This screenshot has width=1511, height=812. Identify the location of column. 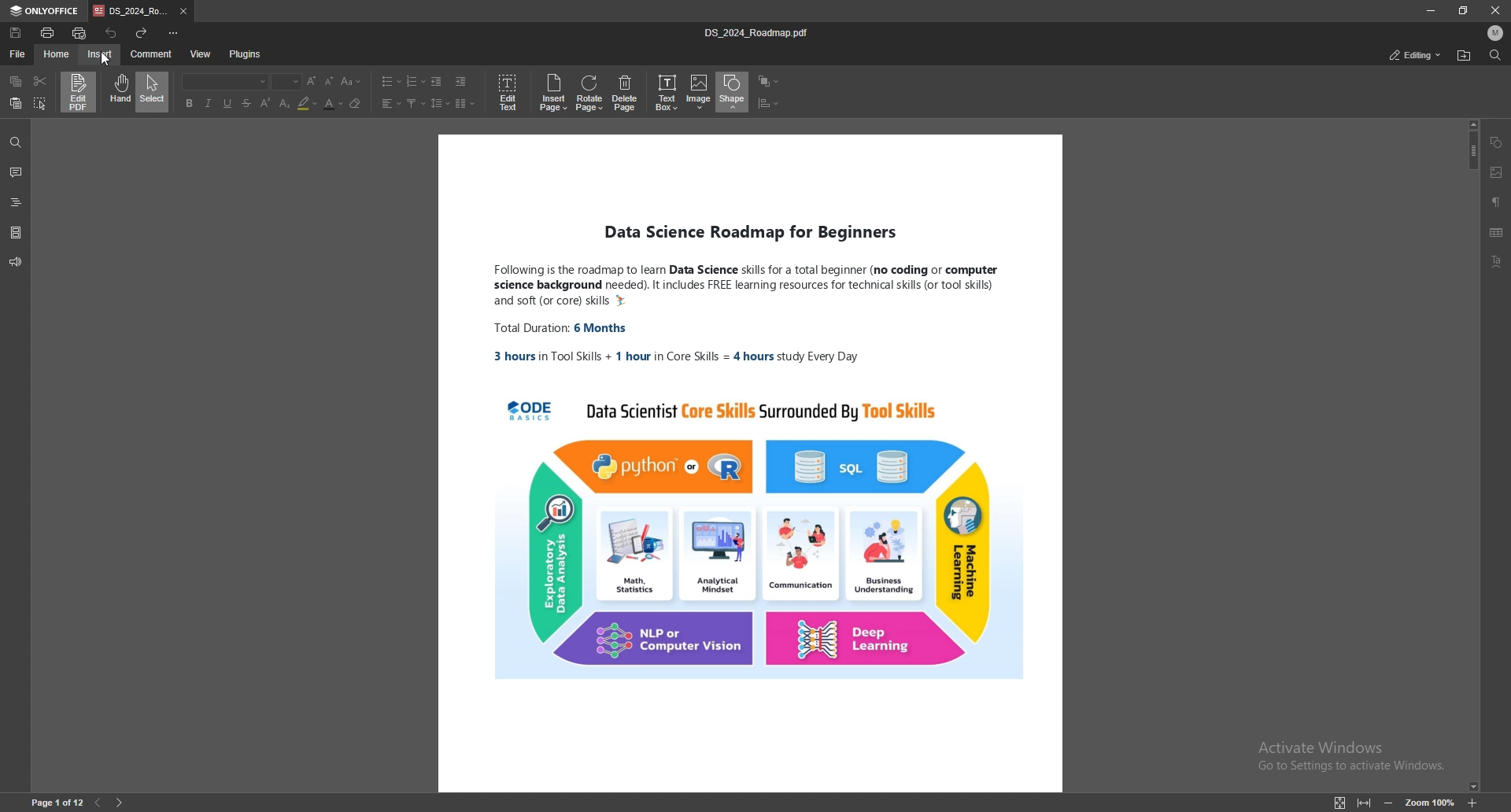
(465, 104).